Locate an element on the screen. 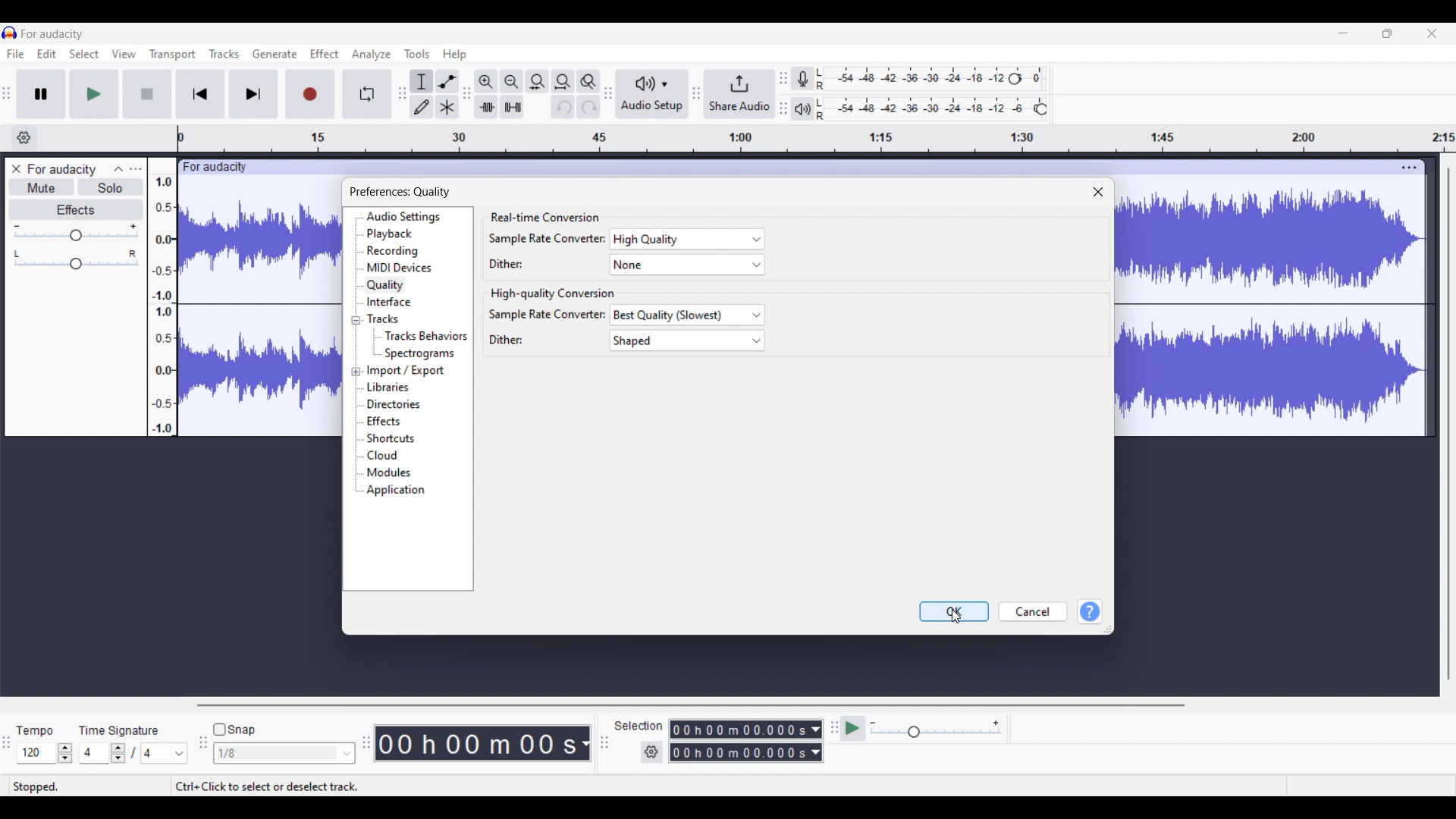 The height and width of the screenshot is (819, 1456). Effects is located at coordinates (384, 421).